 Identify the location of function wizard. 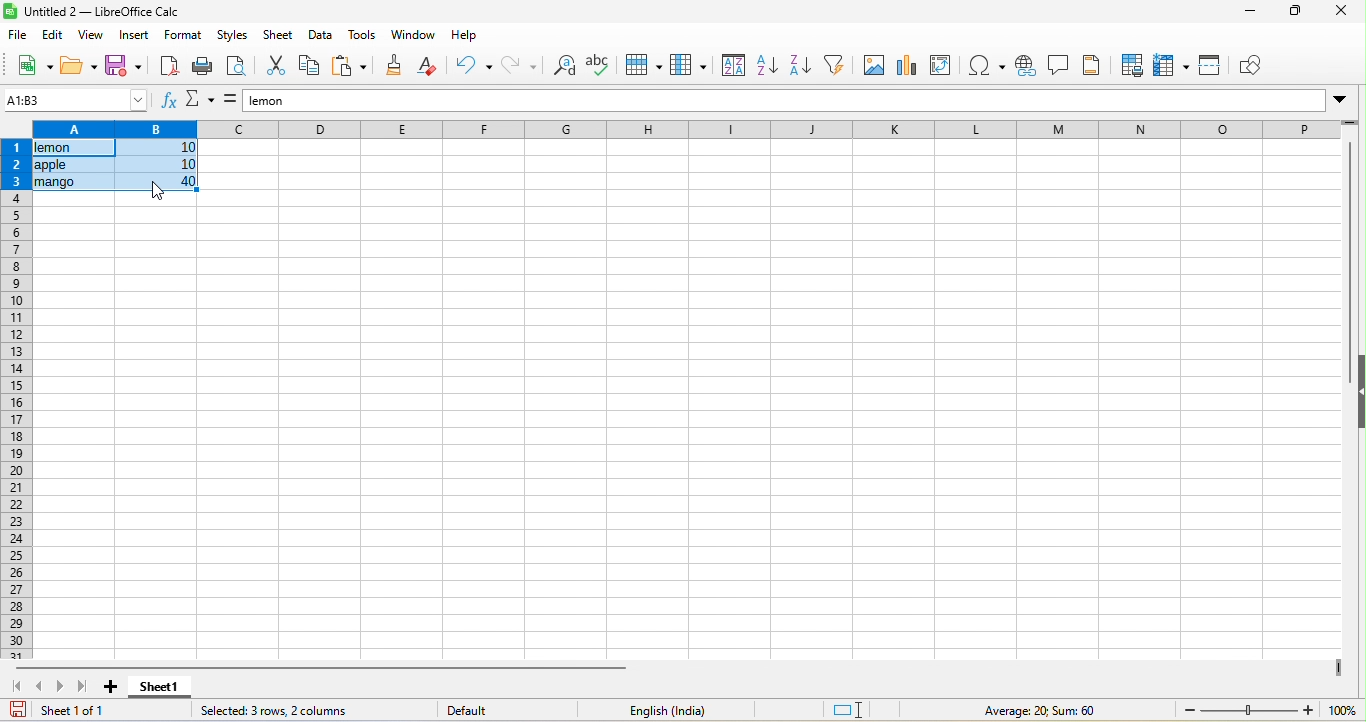
(167, 103).